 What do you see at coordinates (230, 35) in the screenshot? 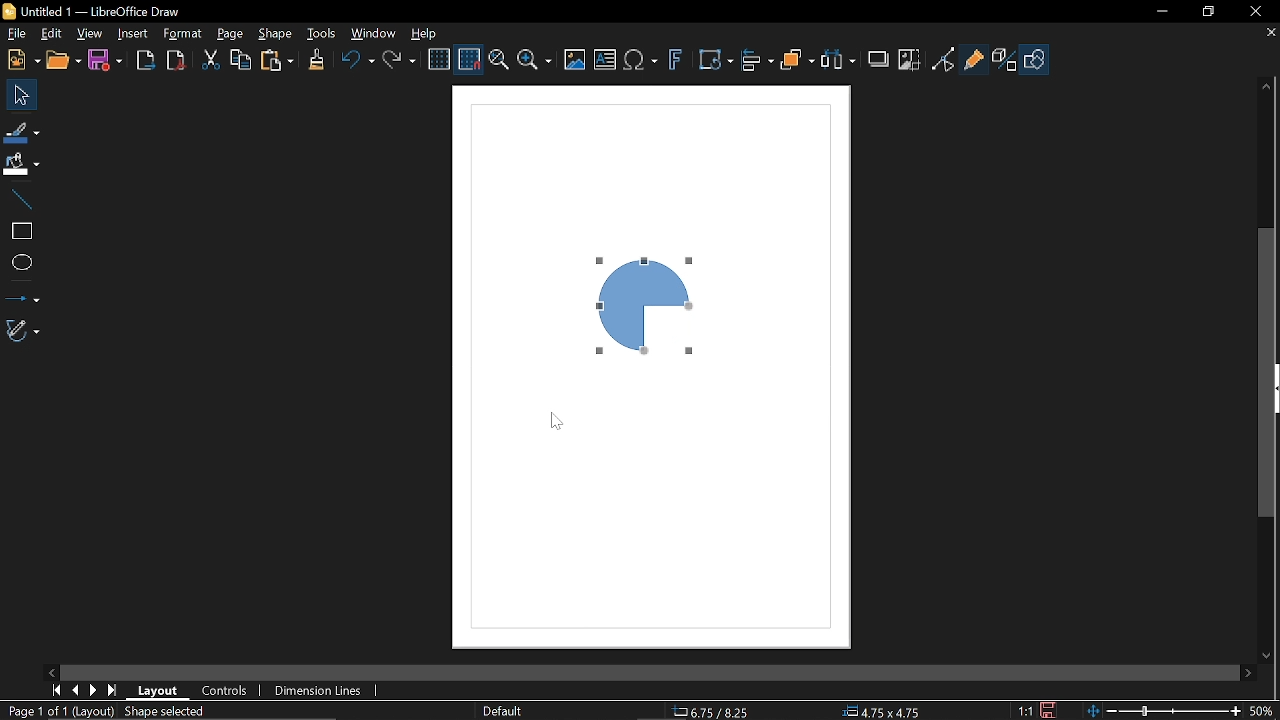
I see `Page` at bounding box center [230, 35].